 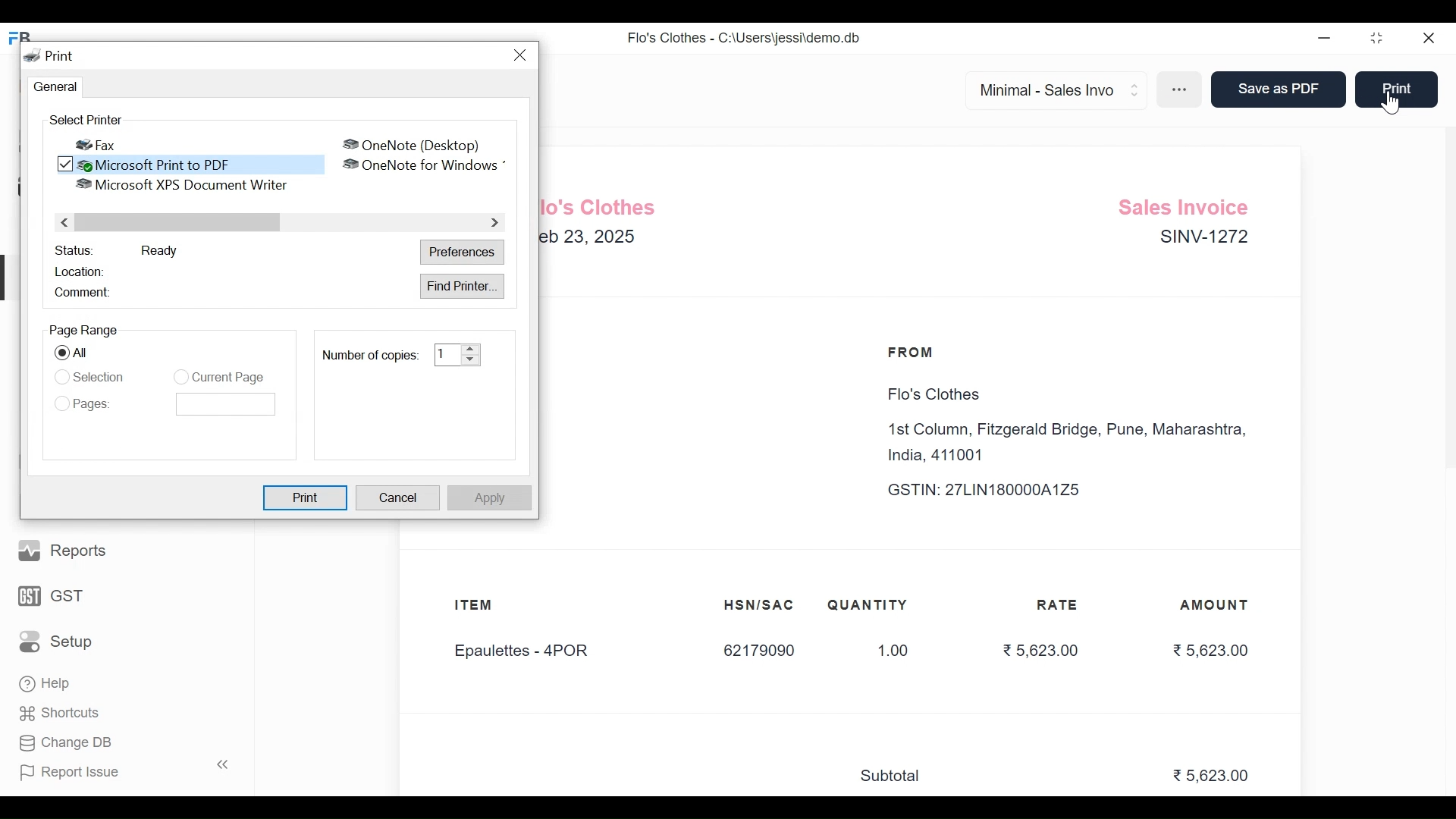 What do you see at coordinates (51, 55) in the screenshot?
I see `Print` at bounding box center [51, 55].